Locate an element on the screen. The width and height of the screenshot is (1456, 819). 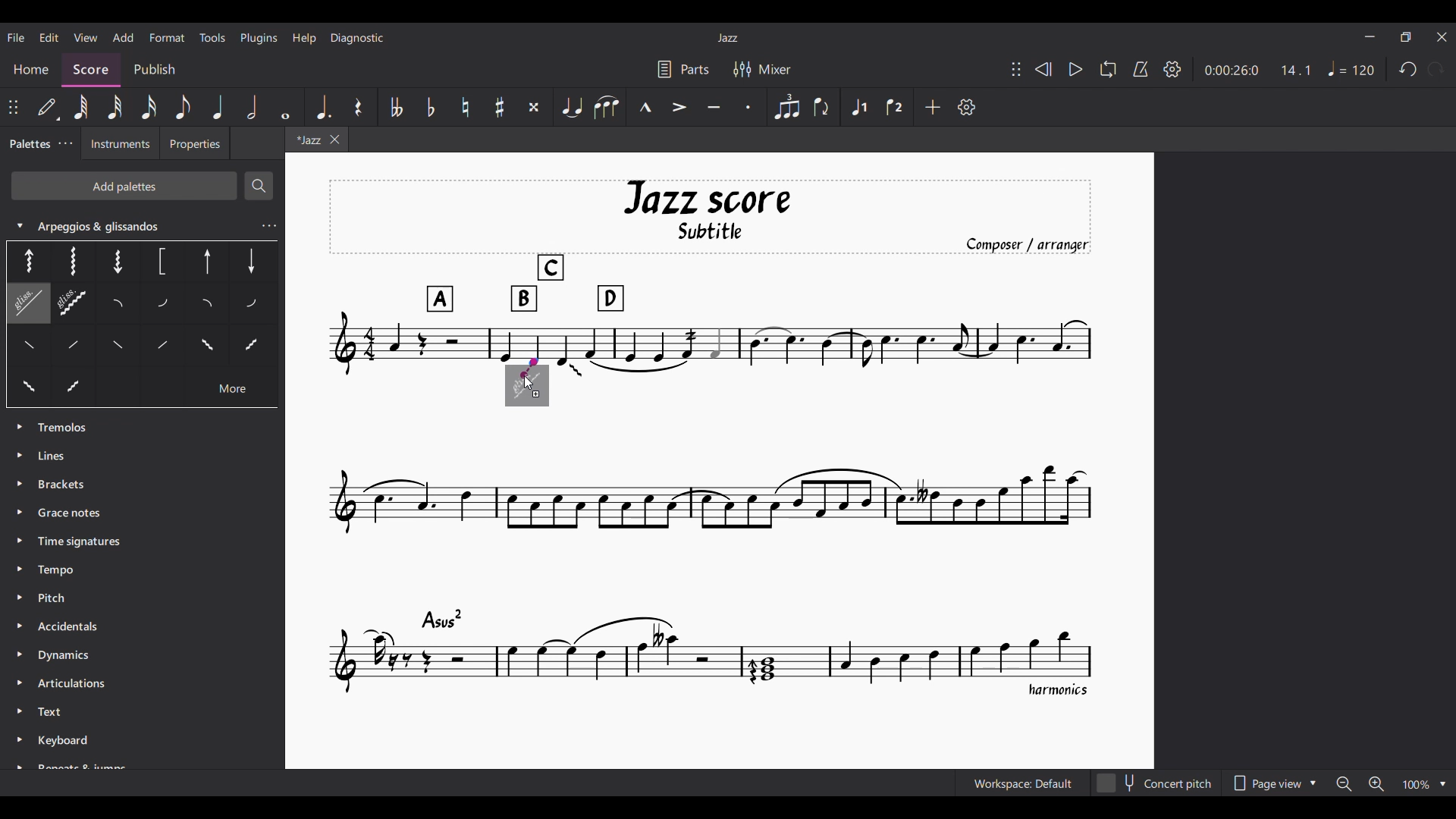
Diagnostic menu is located at coordinates (357, 38).